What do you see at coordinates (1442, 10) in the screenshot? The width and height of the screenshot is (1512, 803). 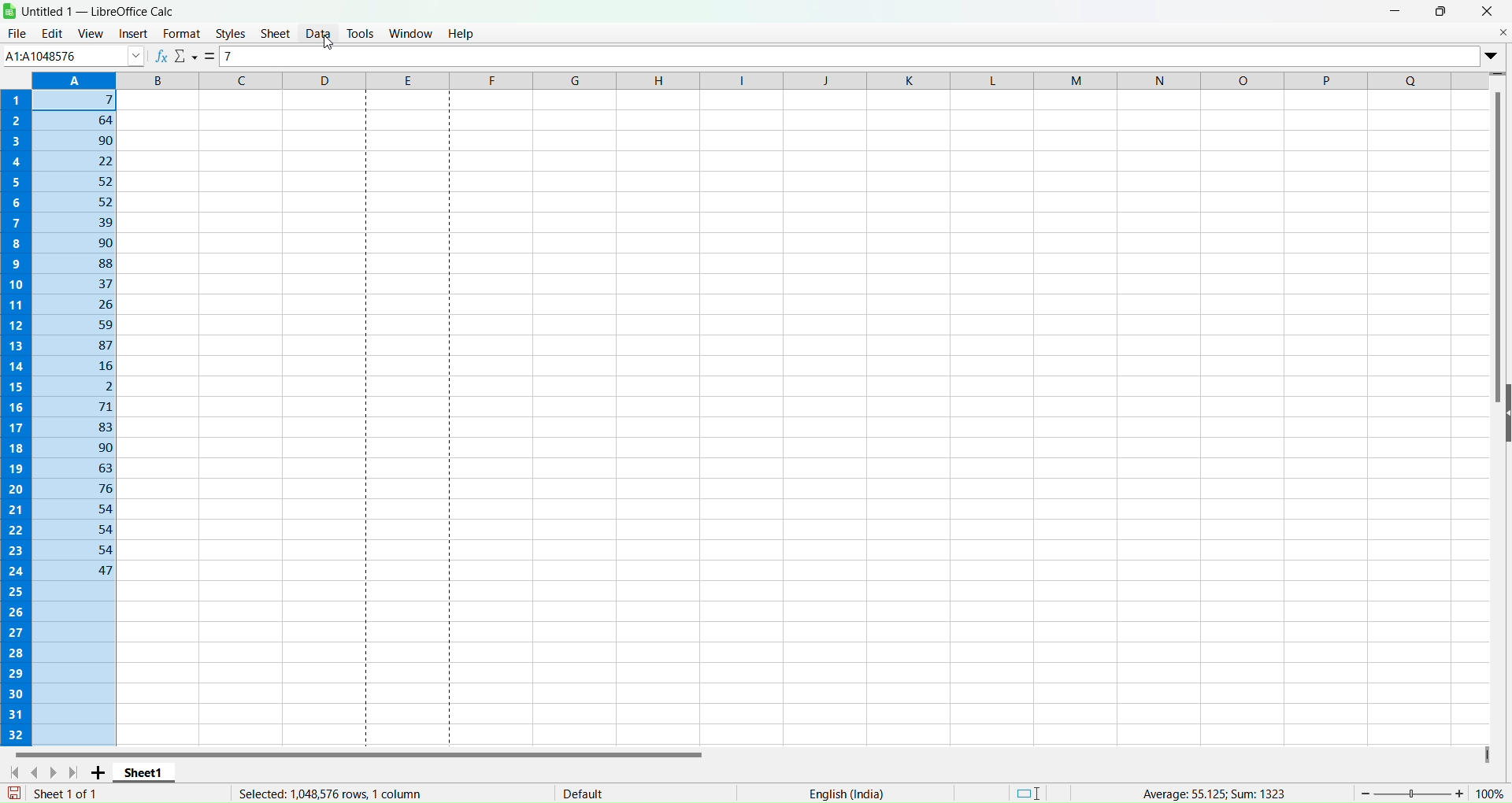 I see `Maximize` at bounding box center [1442, 10].